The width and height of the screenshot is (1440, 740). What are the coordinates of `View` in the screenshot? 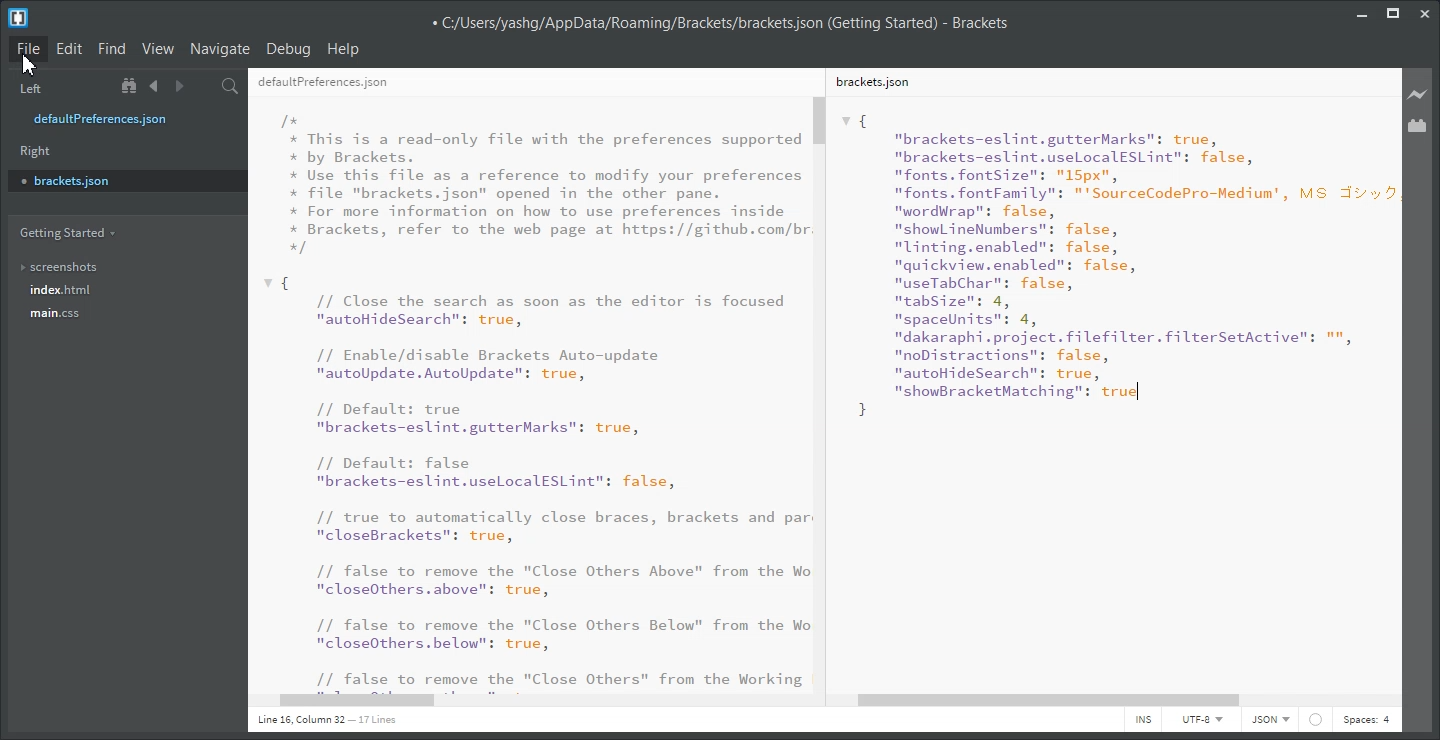 It's located at (158, 49).